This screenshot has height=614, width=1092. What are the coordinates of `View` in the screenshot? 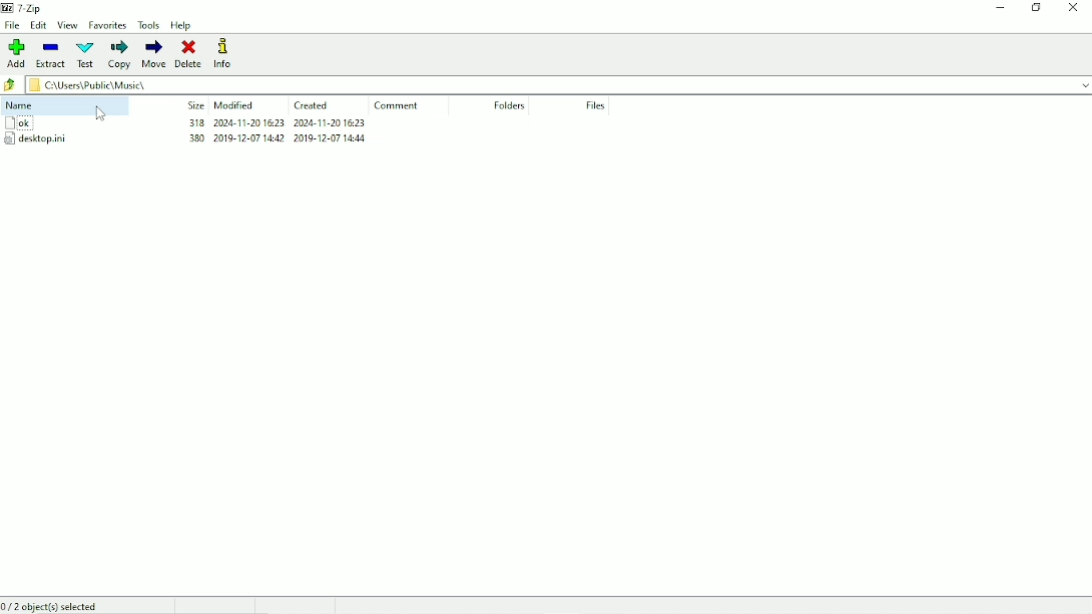 It's located at (67, 25).